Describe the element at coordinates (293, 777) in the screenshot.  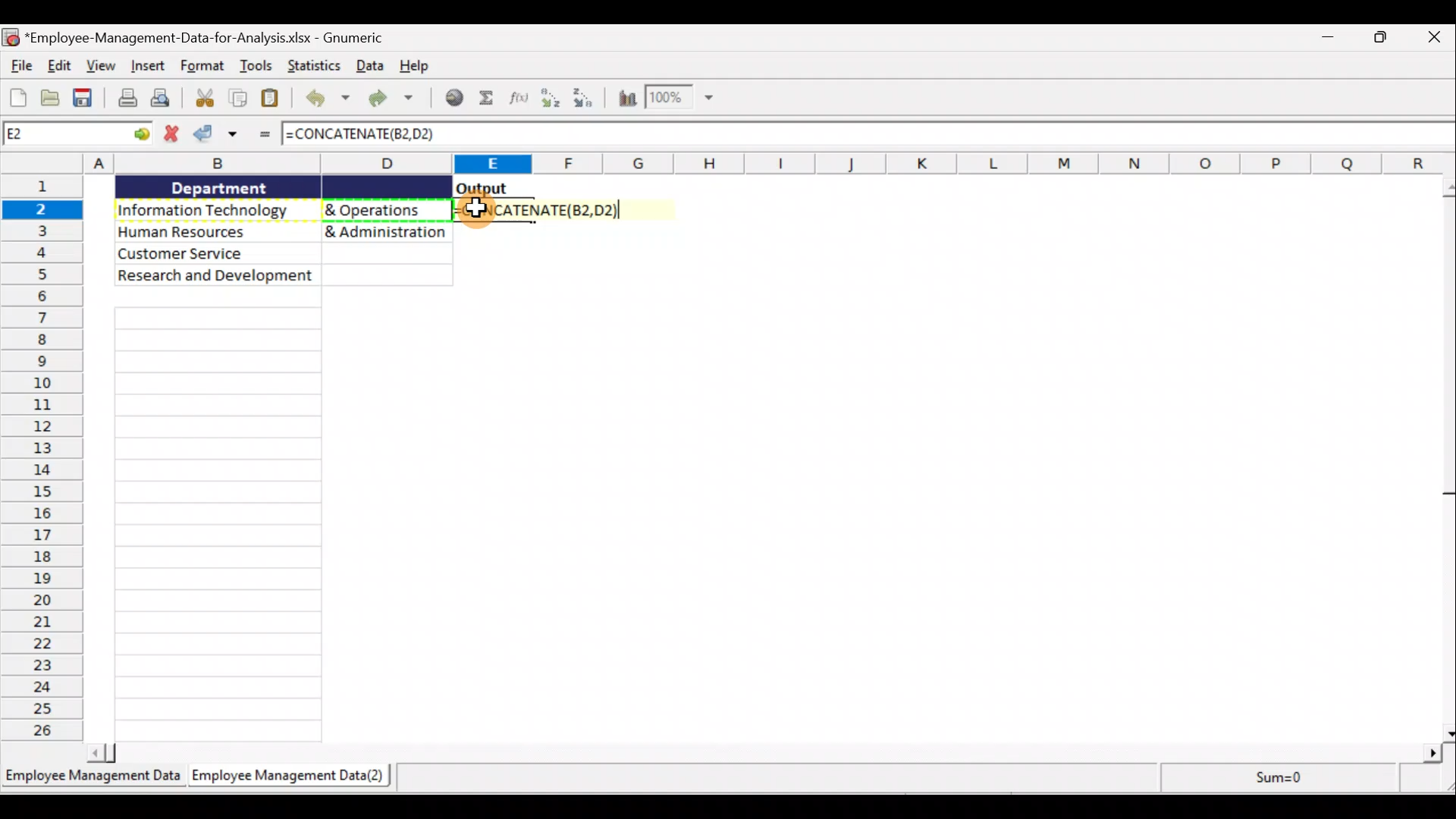
I see `Sheet 2` at that location.